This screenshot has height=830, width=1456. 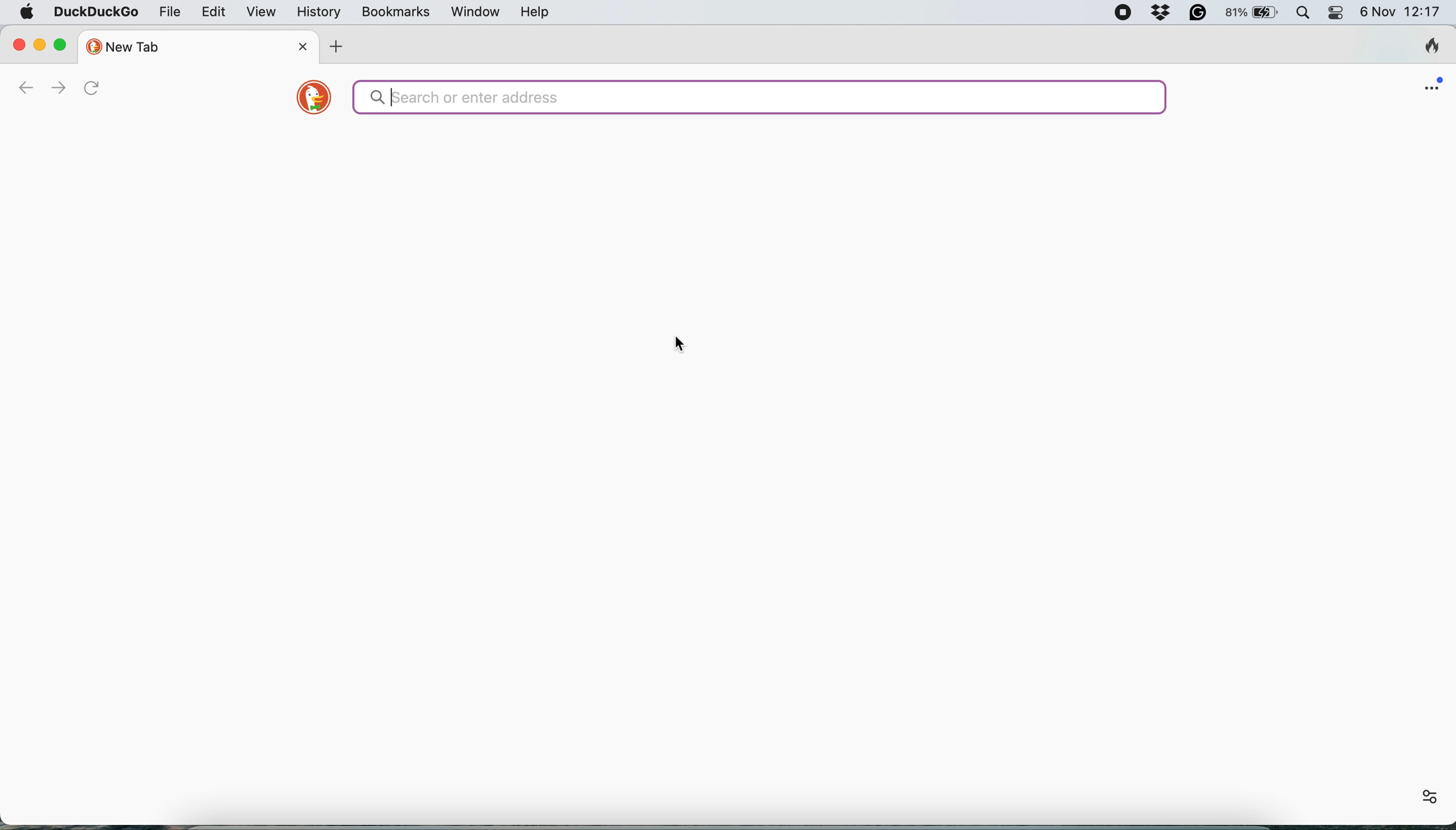 What do you see at coordinates (1424, 48) in the screenshot?
I see `clear browsing history` at bounding box center [1424, 48].